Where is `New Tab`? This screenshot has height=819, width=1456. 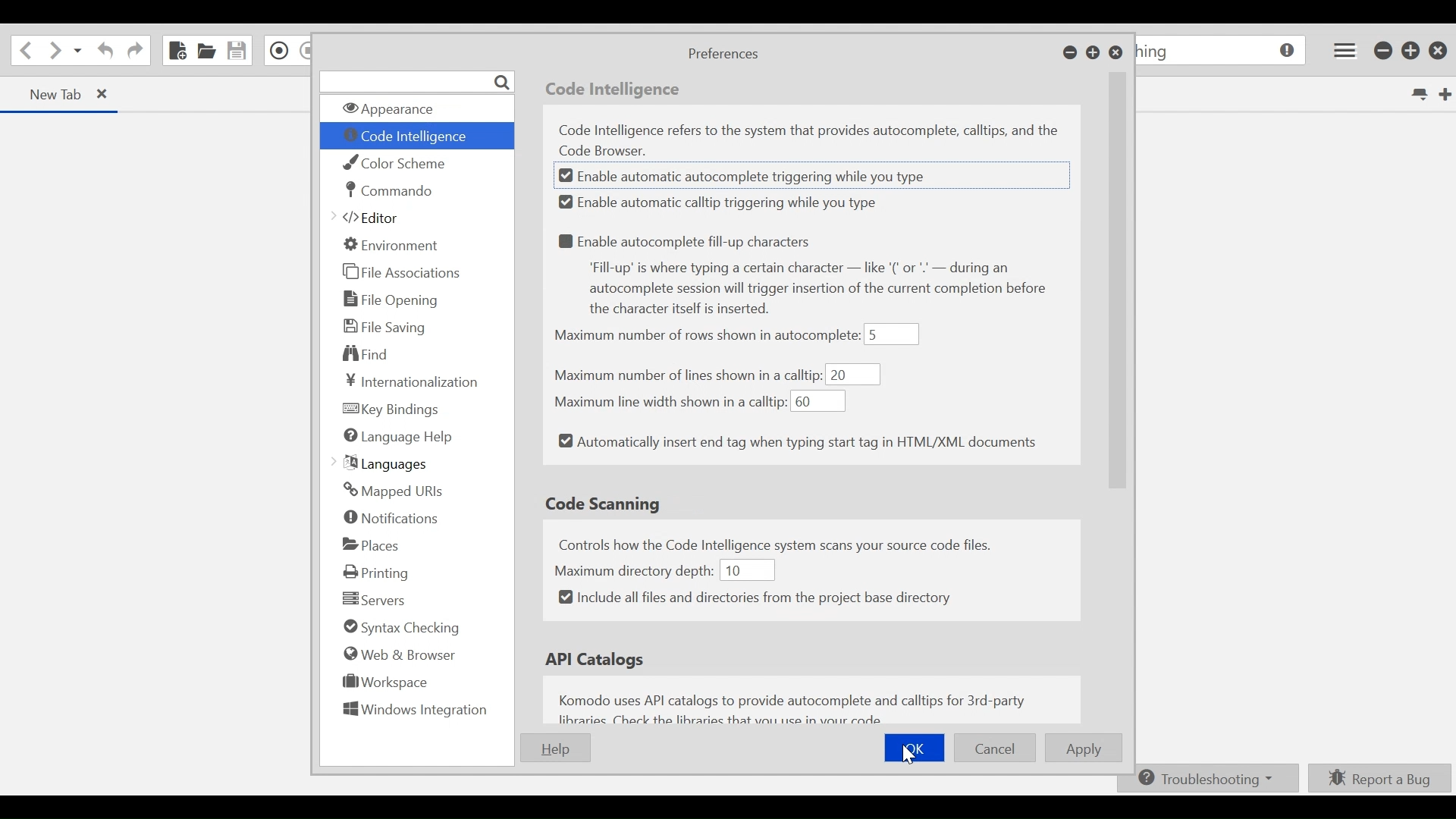 New Tab is located at coordinates (46, 93).